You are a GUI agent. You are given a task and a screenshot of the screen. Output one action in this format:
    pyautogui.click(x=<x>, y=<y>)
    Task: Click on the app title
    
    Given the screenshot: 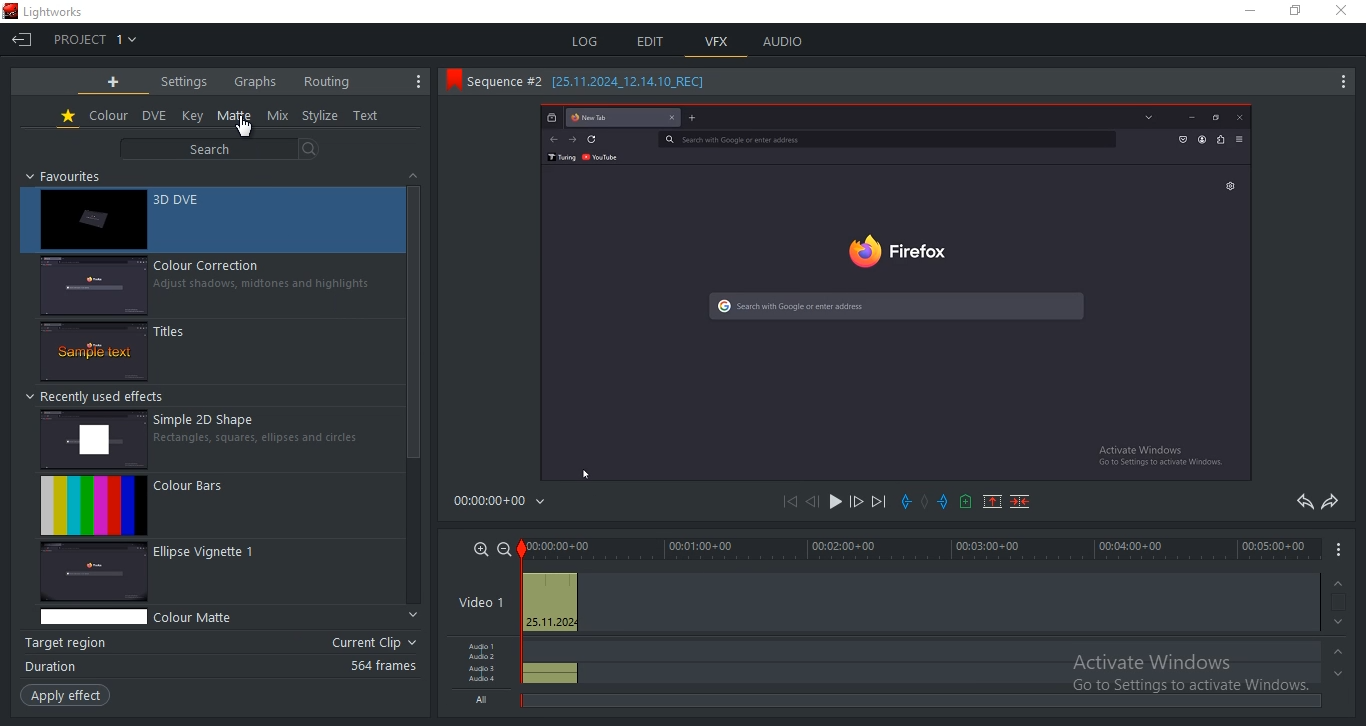 What is the action you would take?
    pyautogui.click(x=51, y=12)
    